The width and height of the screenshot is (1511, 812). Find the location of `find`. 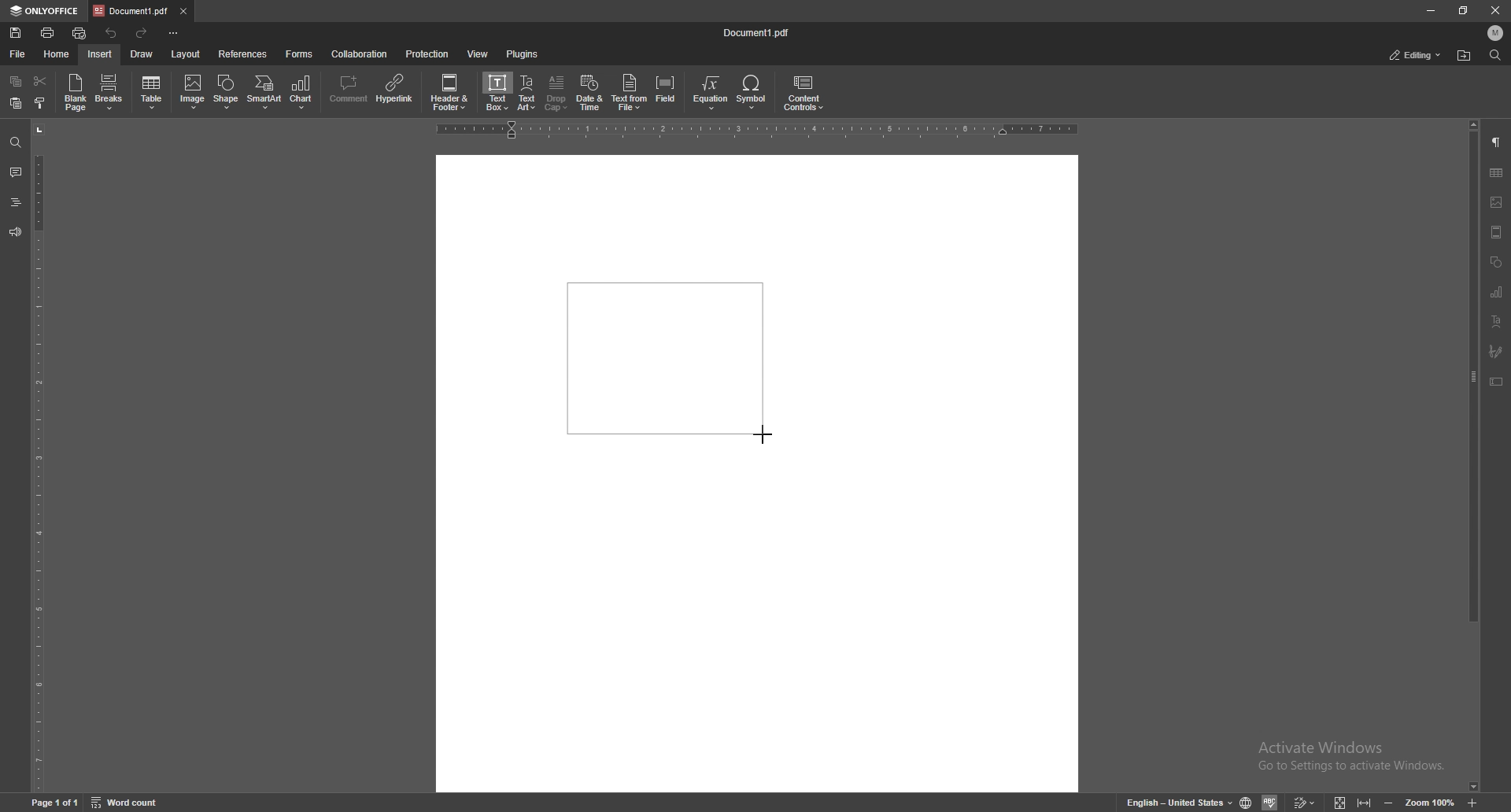

find is located at coordinates (14, 143).